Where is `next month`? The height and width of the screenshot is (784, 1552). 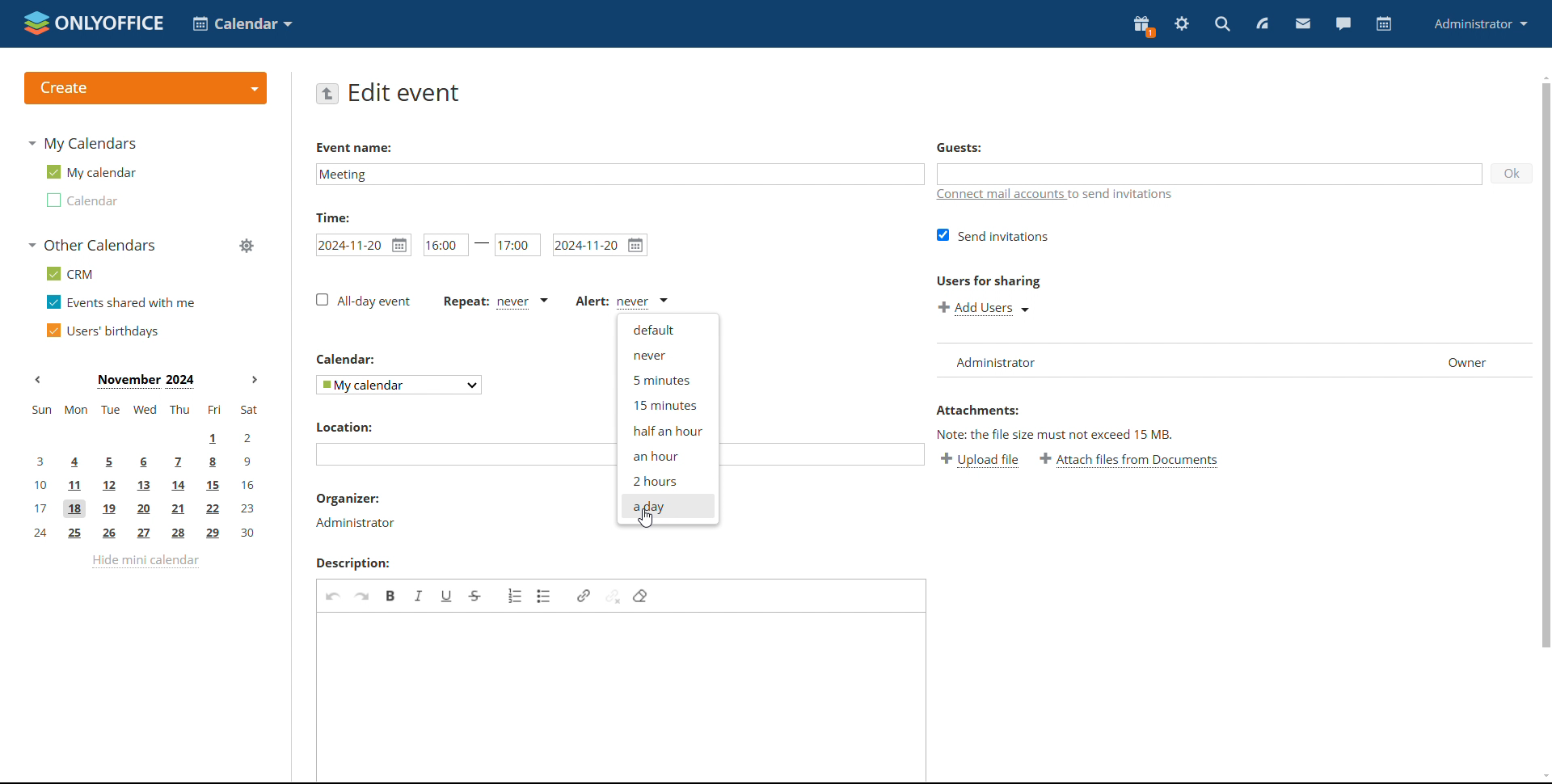
next month is located at coordinates (257, 381).